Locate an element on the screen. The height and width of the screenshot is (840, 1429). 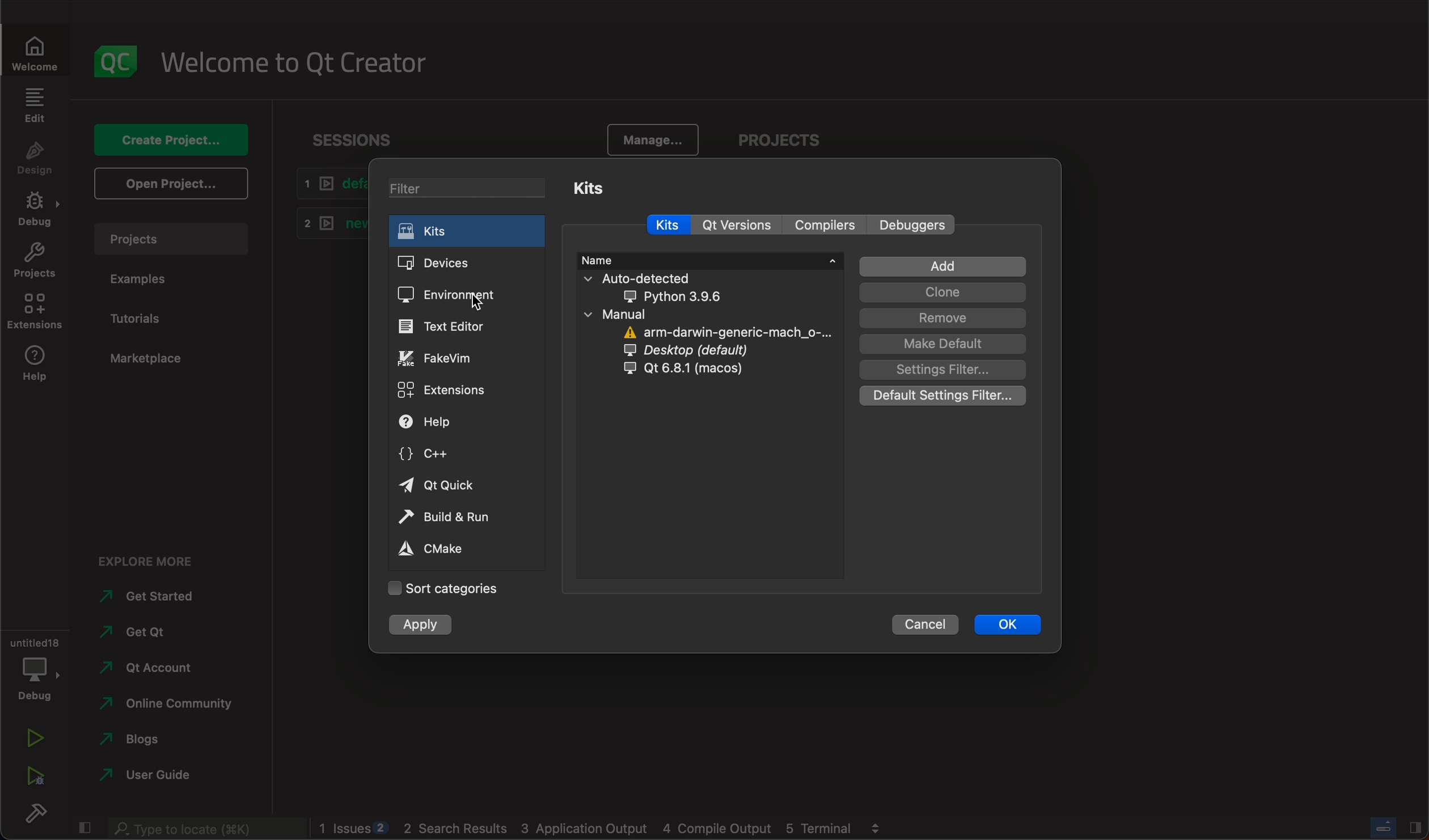
debuggers is located at coordinates (911, 225).